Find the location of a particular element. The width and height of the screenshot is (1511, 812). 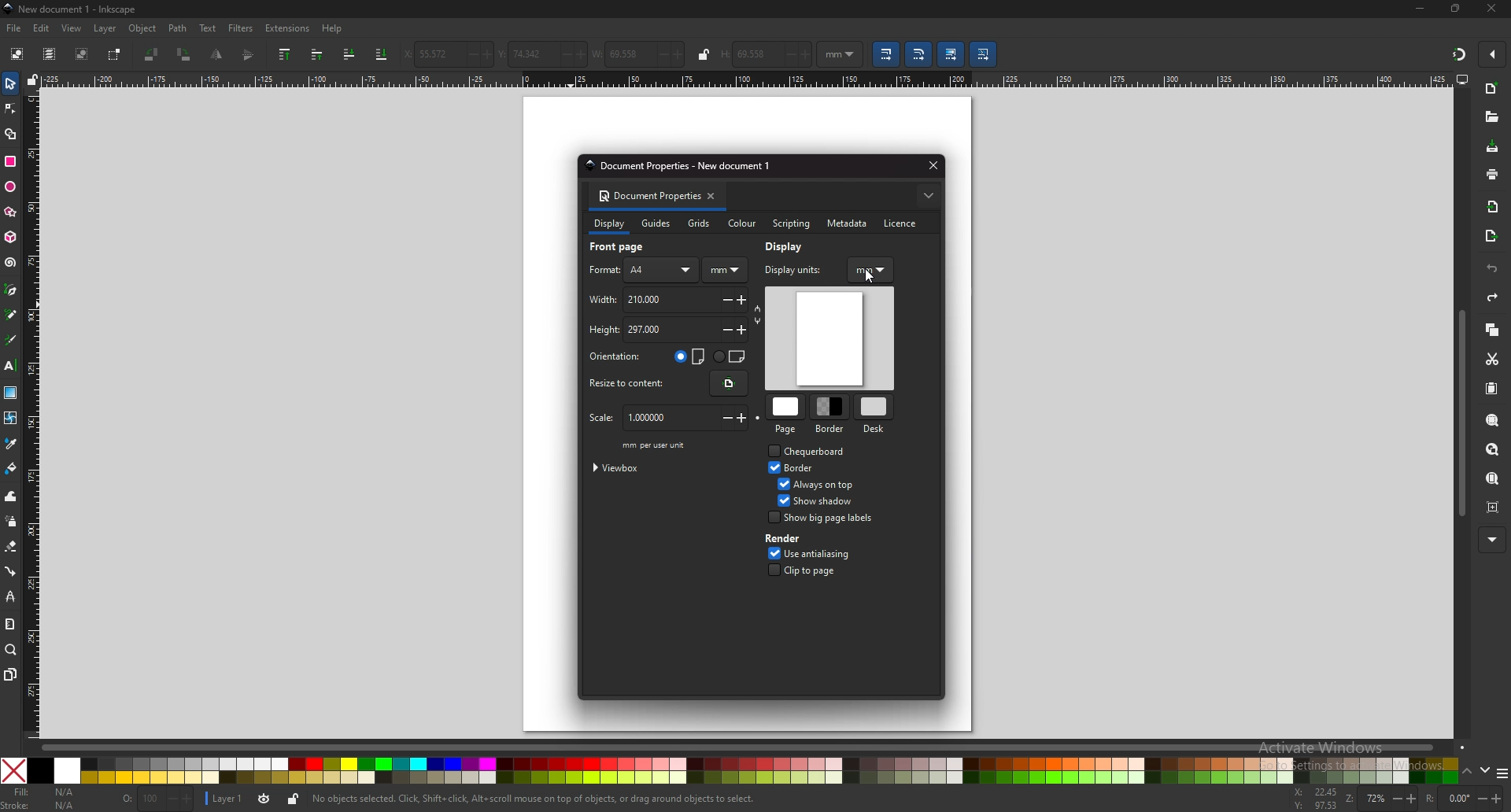

guides is located at coordinates (658, 223).